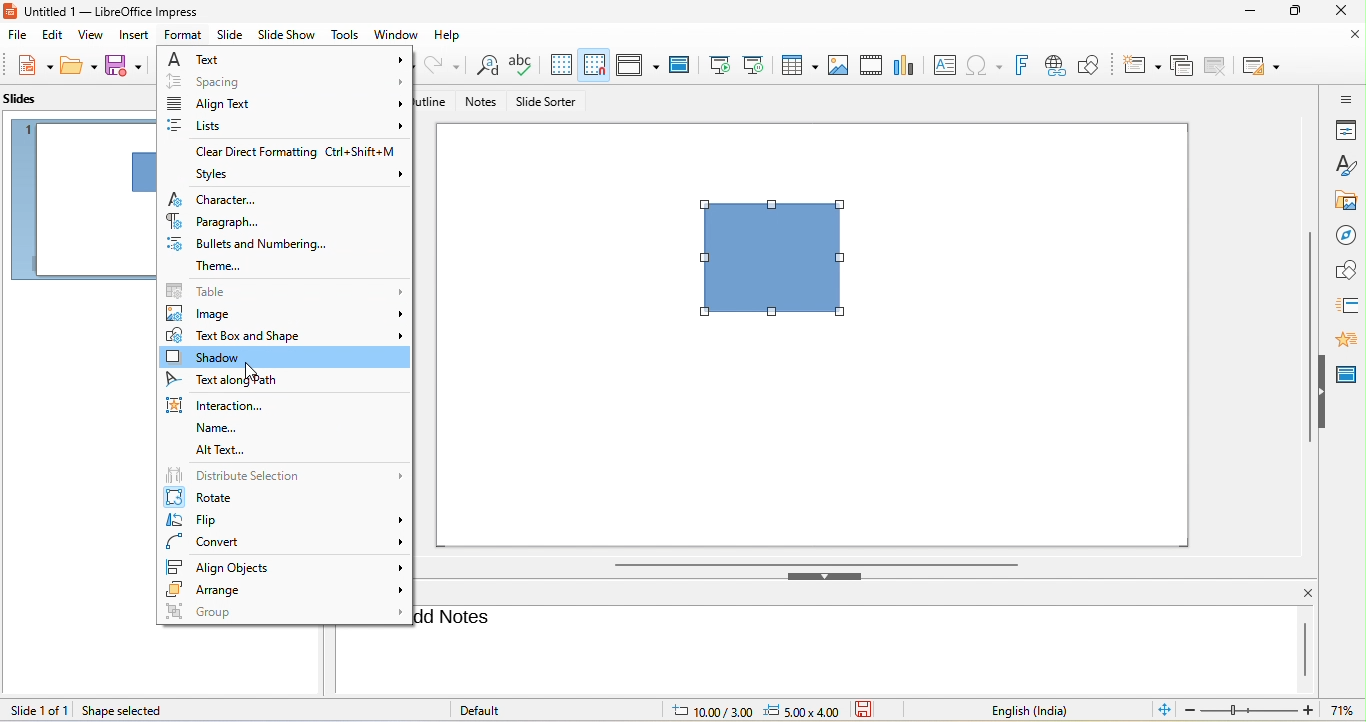 The image size is (1366, 722). What do you see at coordinates (800, 65) in the screenshot?
I see `table` at bounding box center [800, 65].